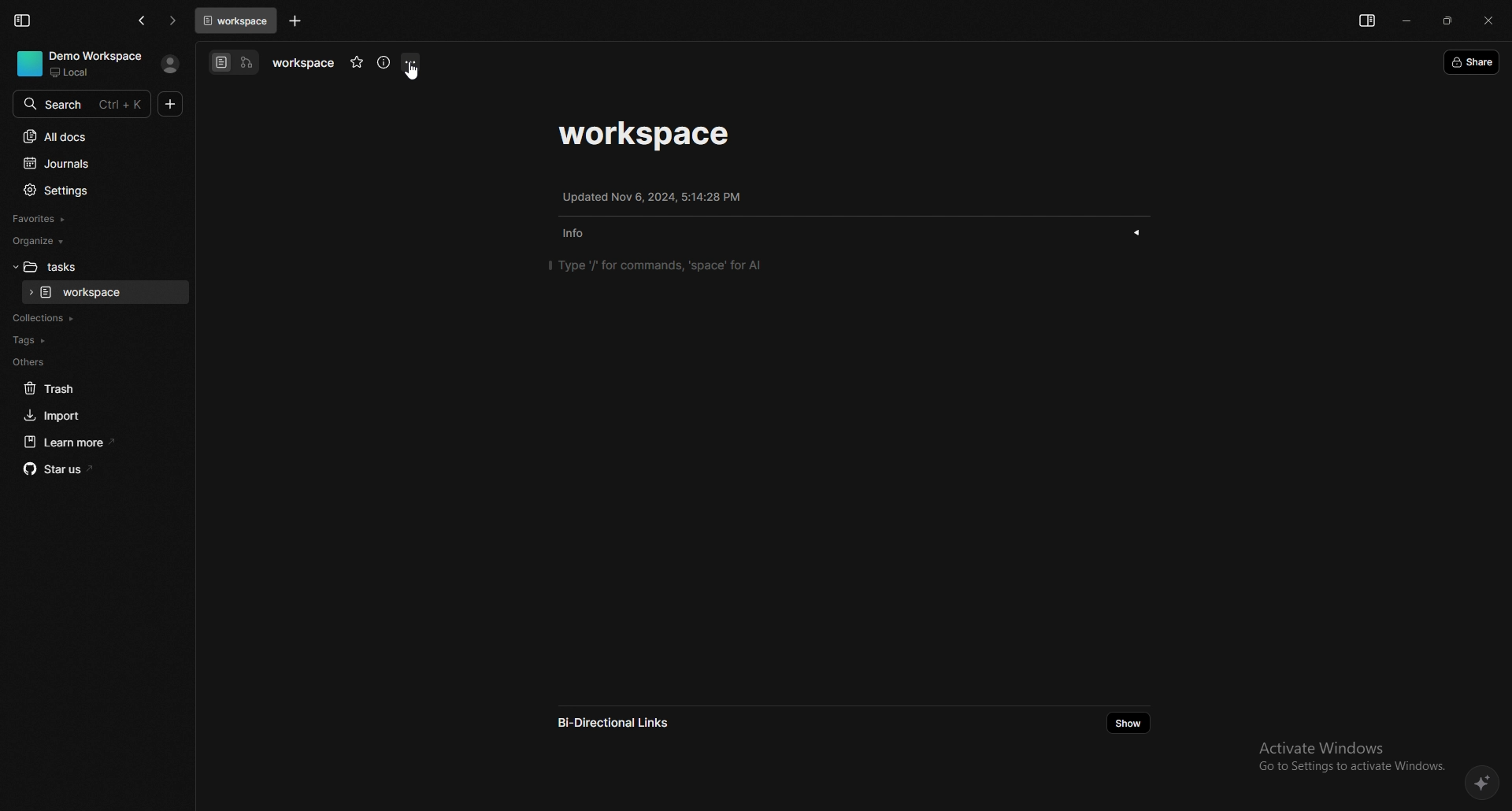  What do you see at coordinates (647, 135) in the screenshot?
I see `task name` at bounding box center [647, 135].